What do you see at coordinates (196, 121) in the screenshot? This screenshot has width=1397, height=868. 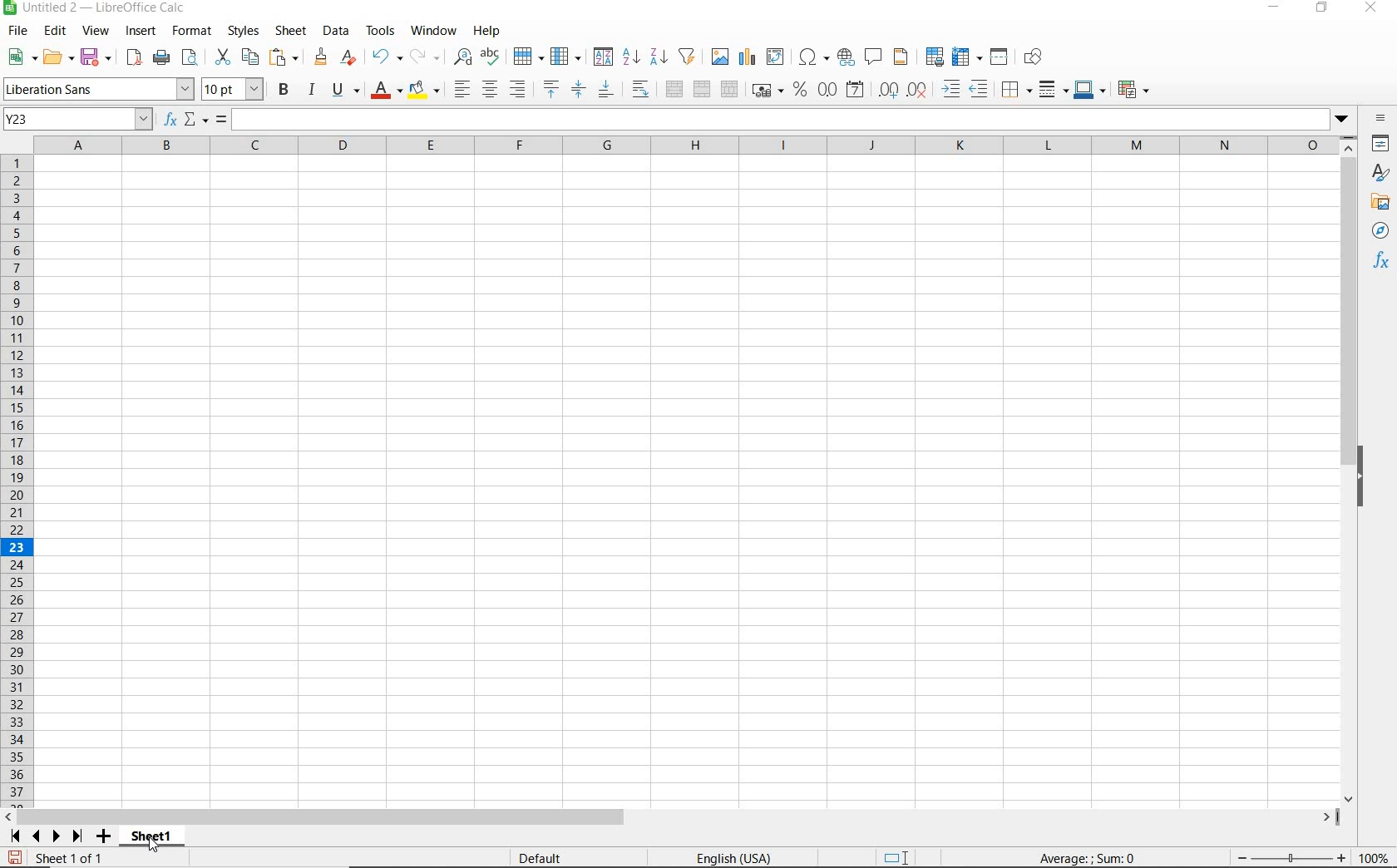 I see `SELECT FUNCTION` at bounding box center [196, 121].